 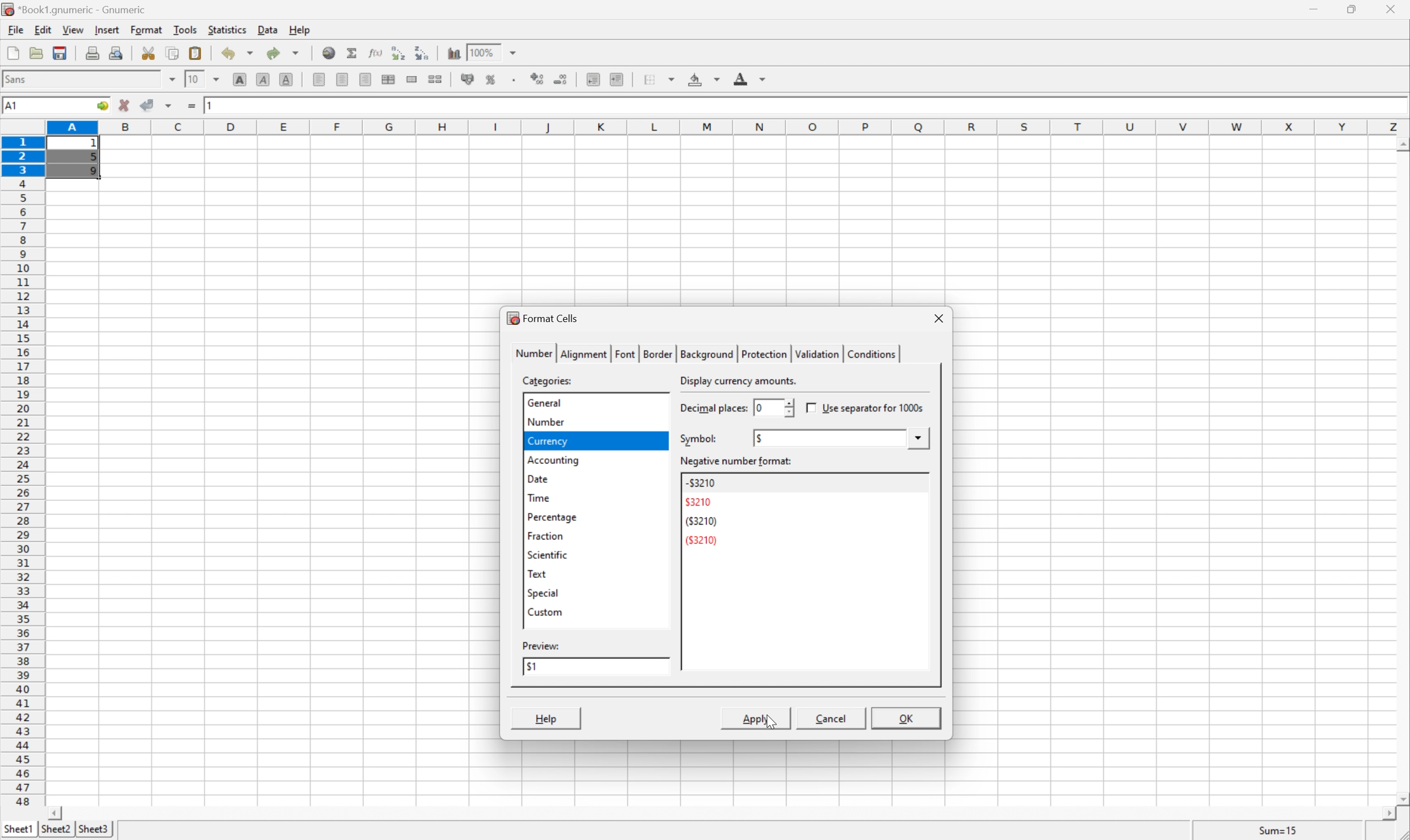 What do you see at coordinates (772, 723) in the screenshot?
I see `cursor` at bounding box center [772, 723].